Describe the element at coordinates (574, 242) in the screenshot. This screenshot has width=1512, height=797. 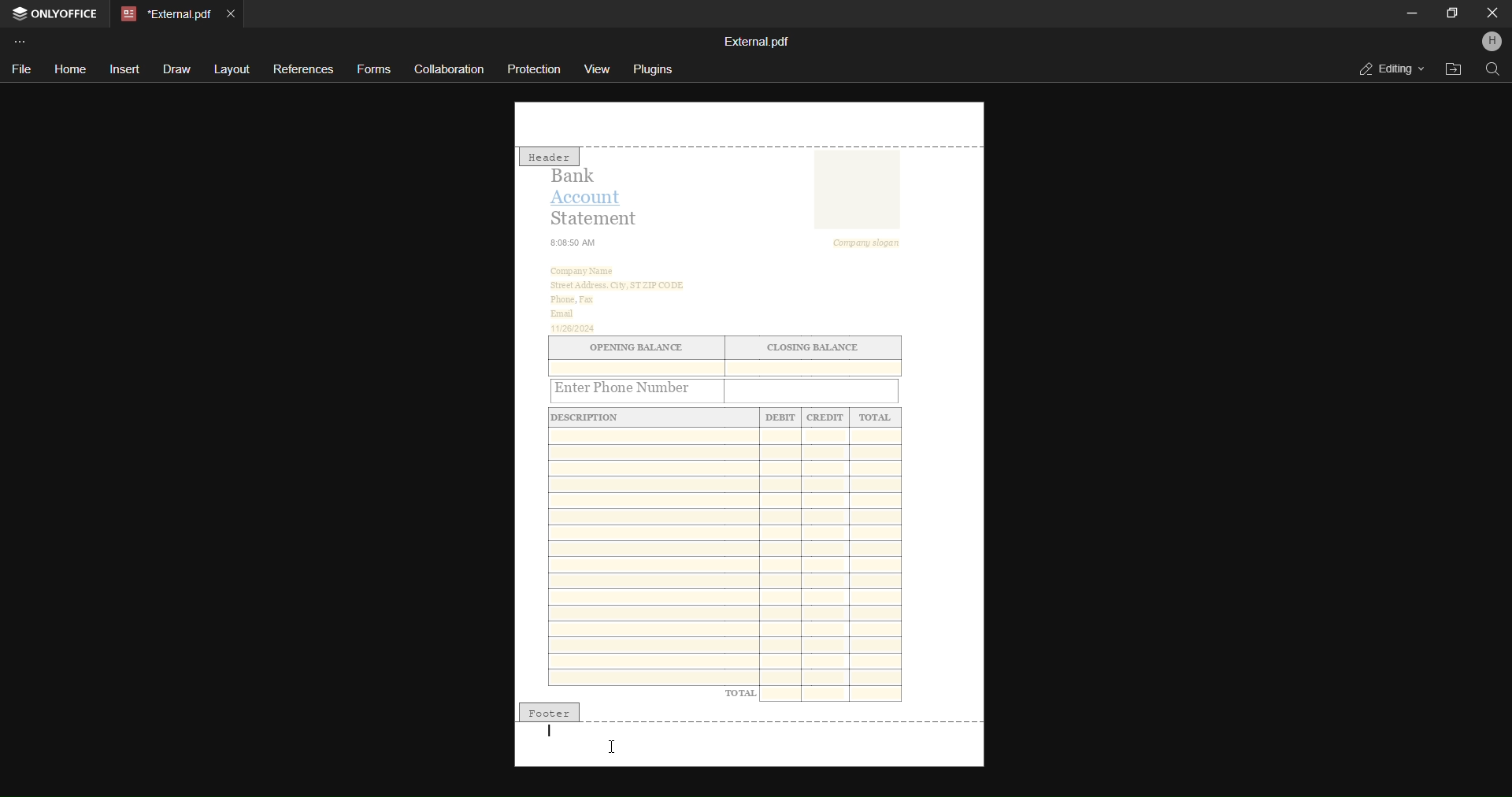
I see `8:08:50 AM` at that location.